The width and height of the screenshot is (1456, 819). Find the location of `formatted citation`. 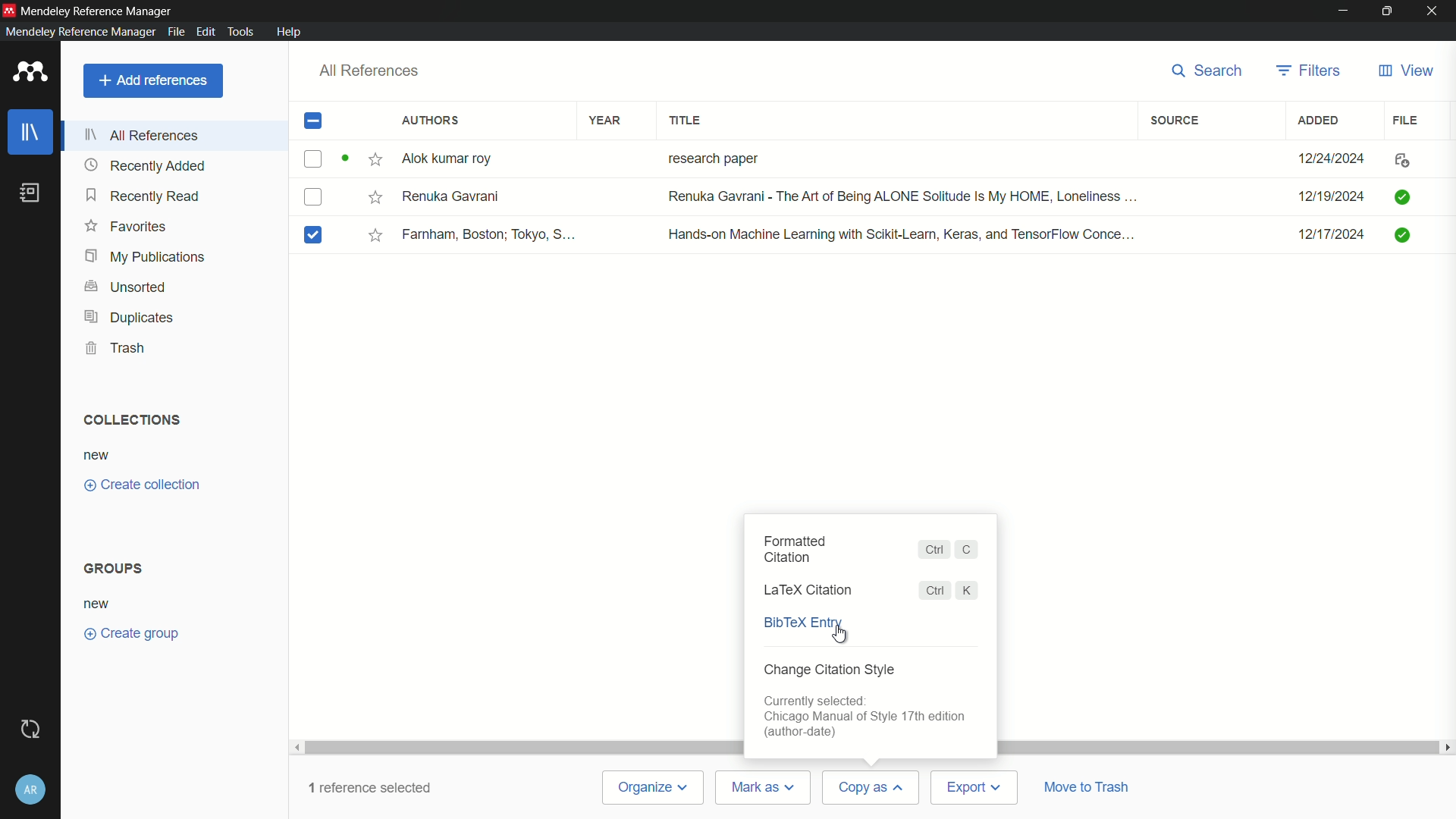

formatted citation is located at coordinates (795, 550).